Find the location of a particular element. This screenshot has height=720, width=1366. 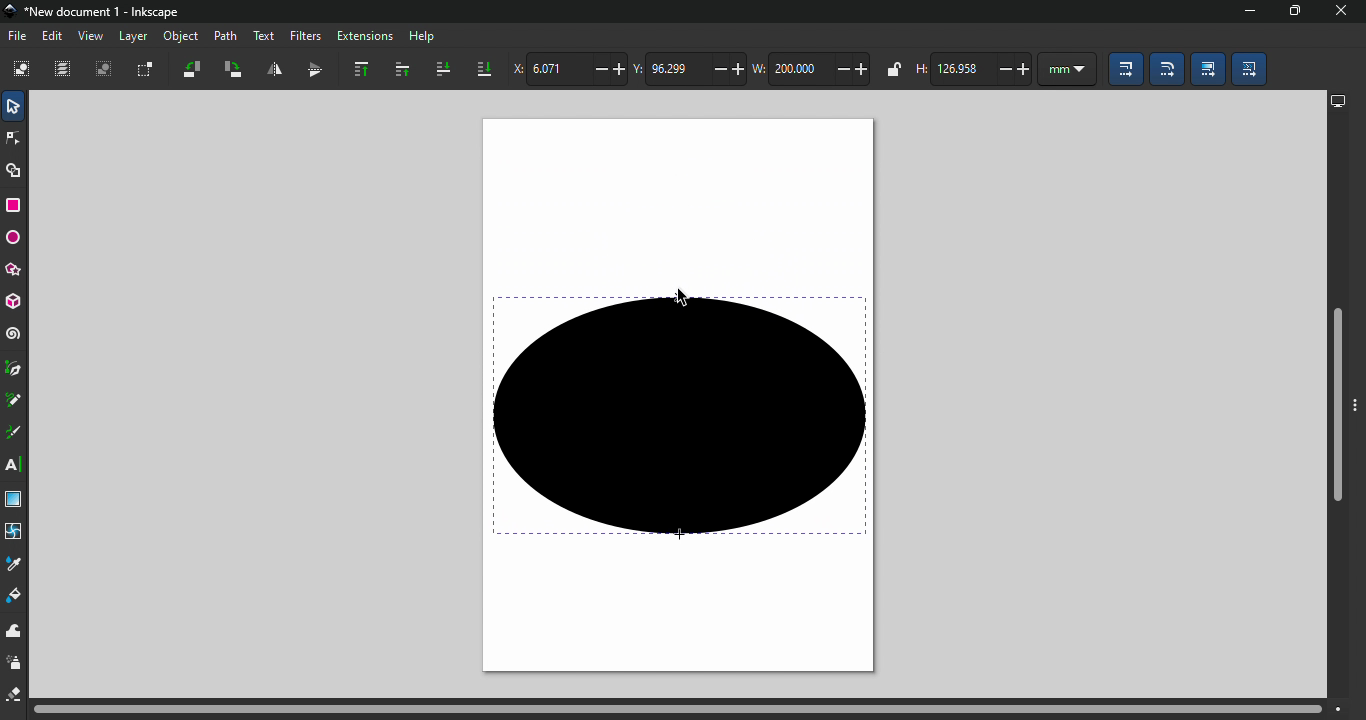

Object is located at coordinates (181, 36).